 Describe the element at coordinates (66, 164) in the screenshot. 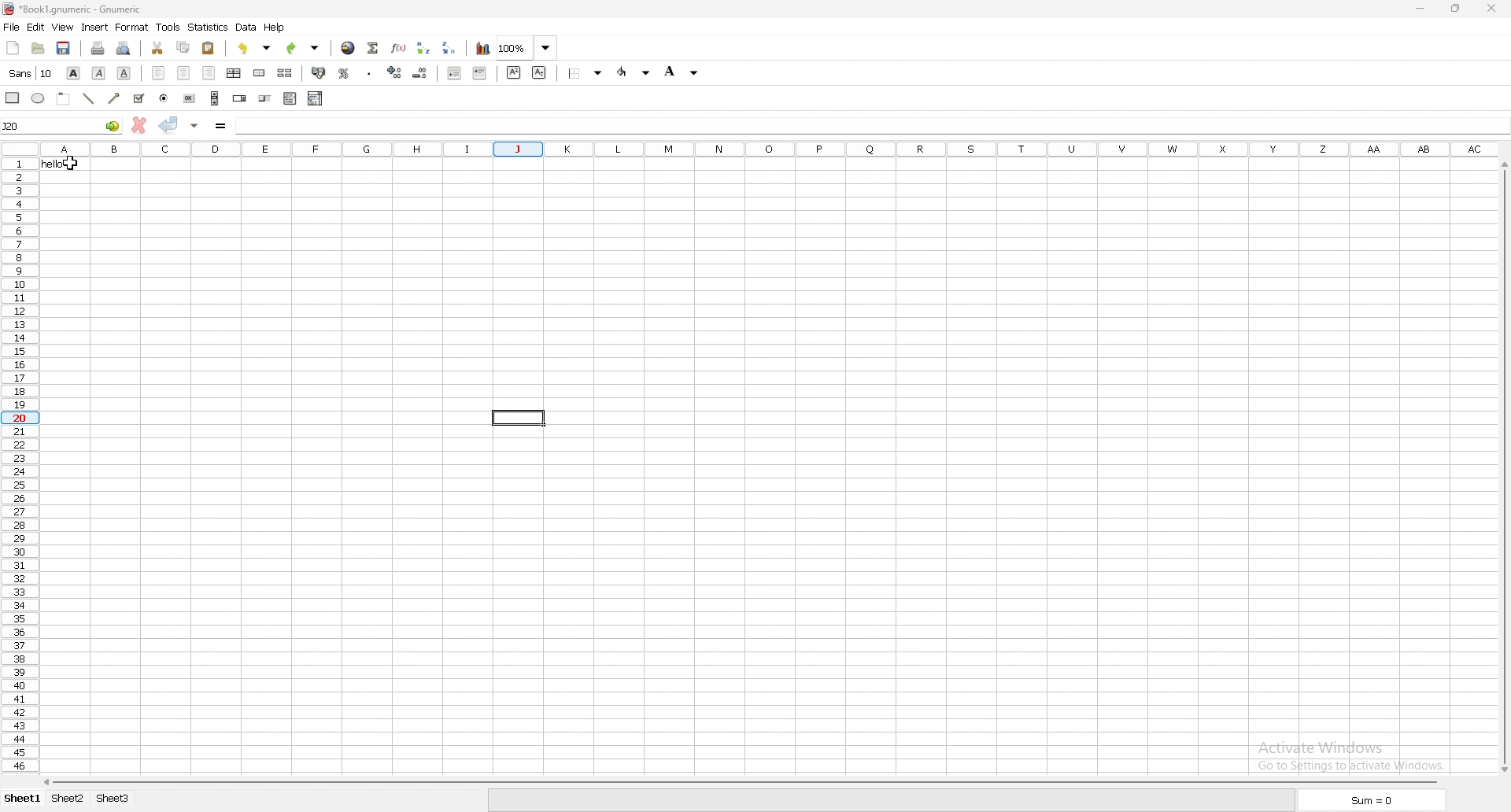

I see `hello` at that location.